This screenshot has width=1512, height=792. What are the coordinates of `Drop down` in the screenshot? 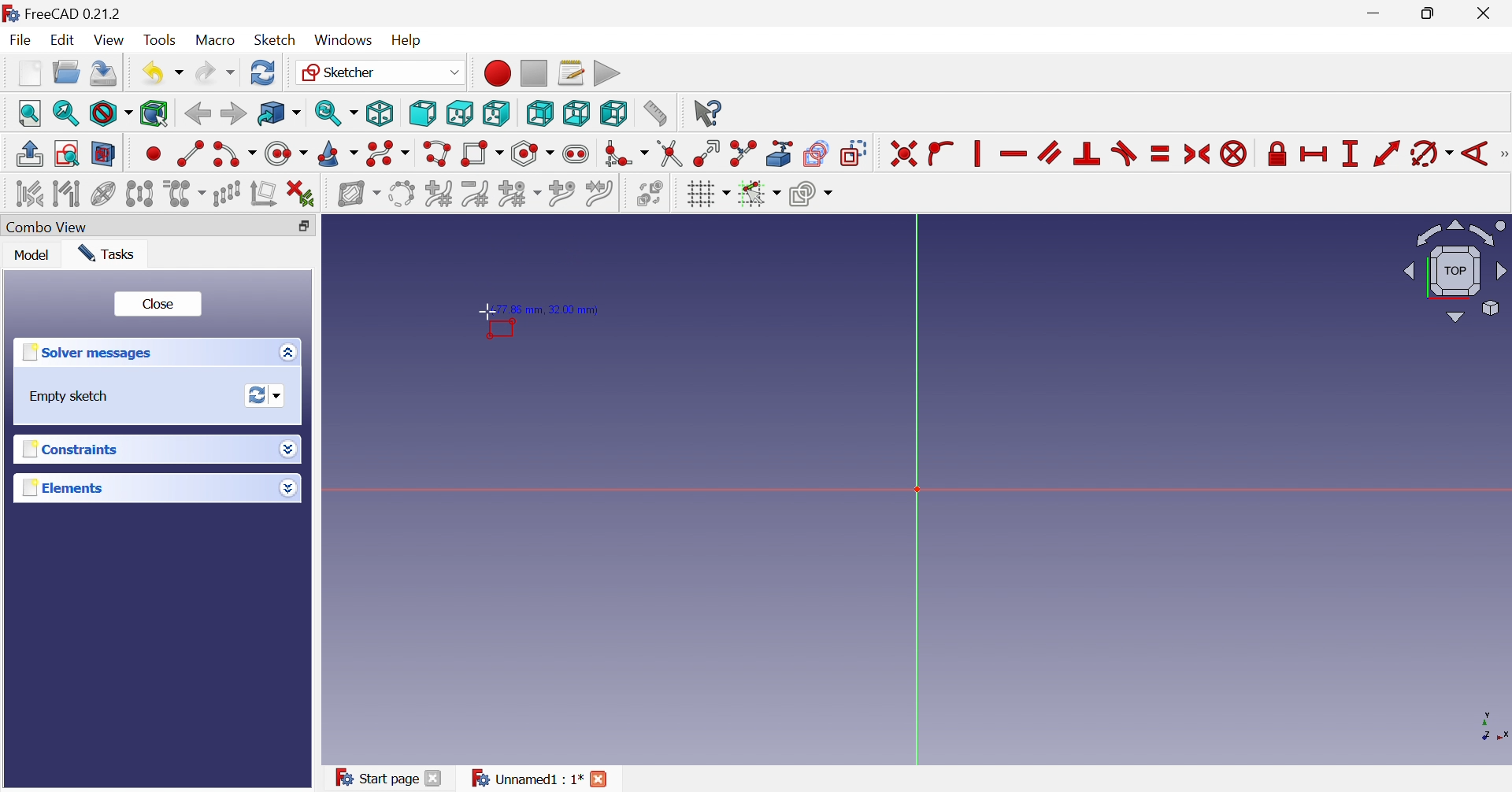 It's located at (287, 447).